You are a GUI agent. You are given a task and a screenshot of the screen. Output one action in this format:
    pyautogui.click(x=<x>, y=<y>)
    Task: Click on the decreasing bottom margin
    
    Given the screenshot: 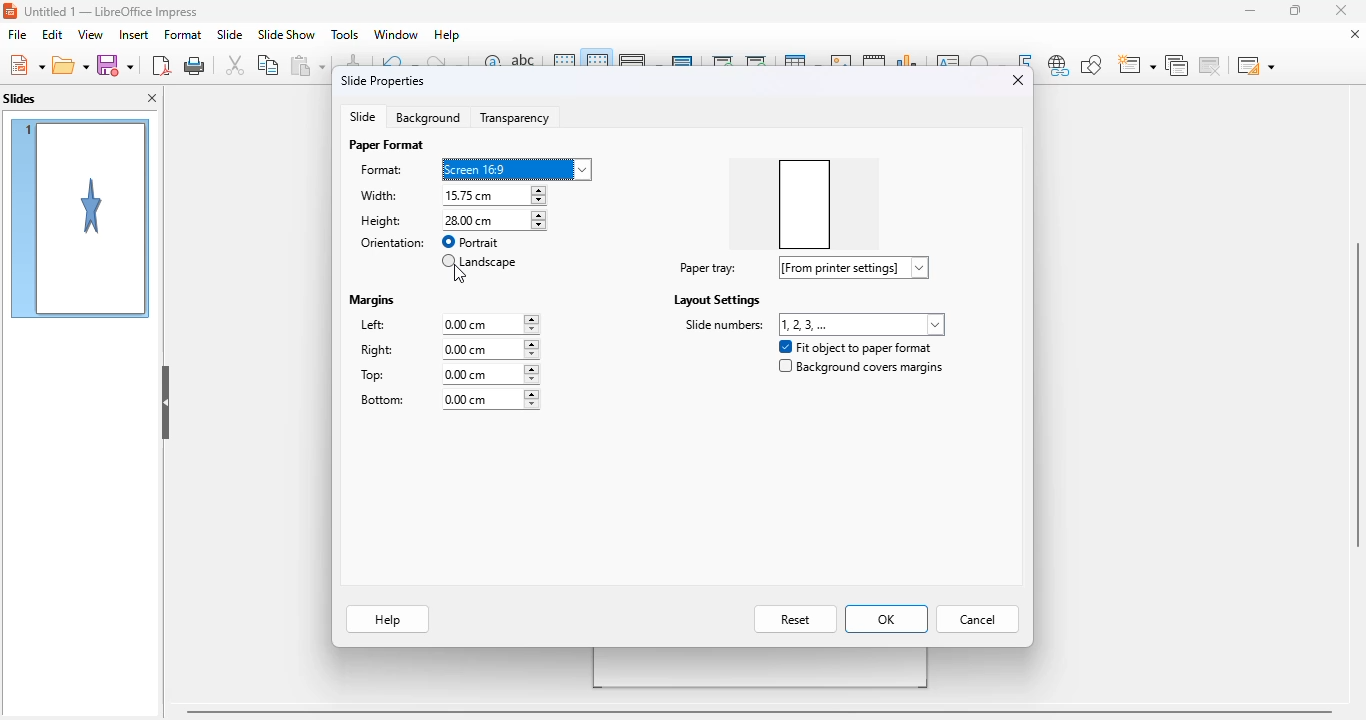 What is the action you would take?
    pyautogui.click(x=529, y=405)
    